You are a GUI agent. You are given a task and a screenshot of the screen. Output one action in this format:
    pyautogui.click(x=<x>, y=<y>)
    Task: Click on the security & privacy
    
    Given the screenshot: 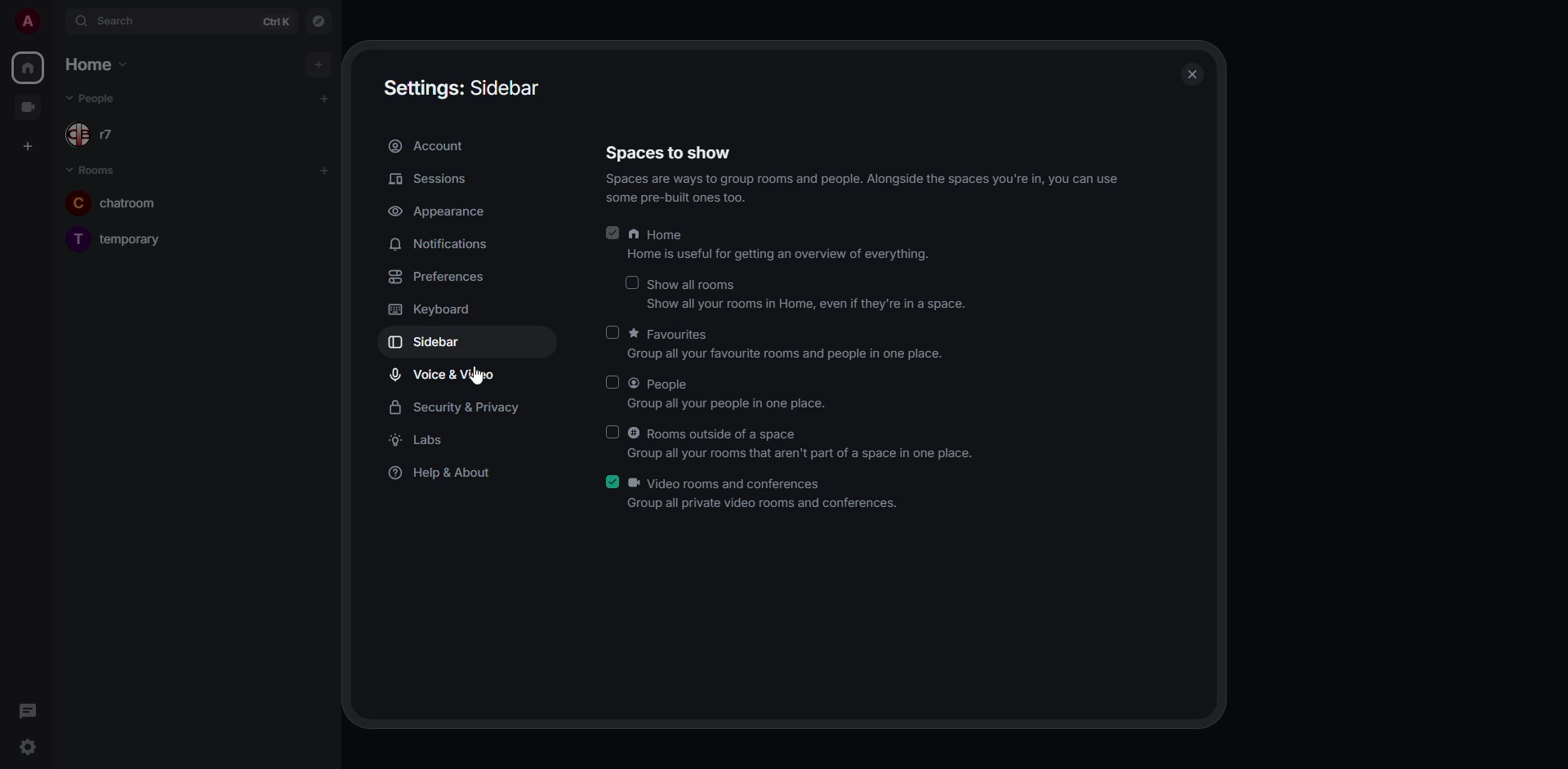 What is the action you would take?
    pyautogui.click(x=458, y=407)
    